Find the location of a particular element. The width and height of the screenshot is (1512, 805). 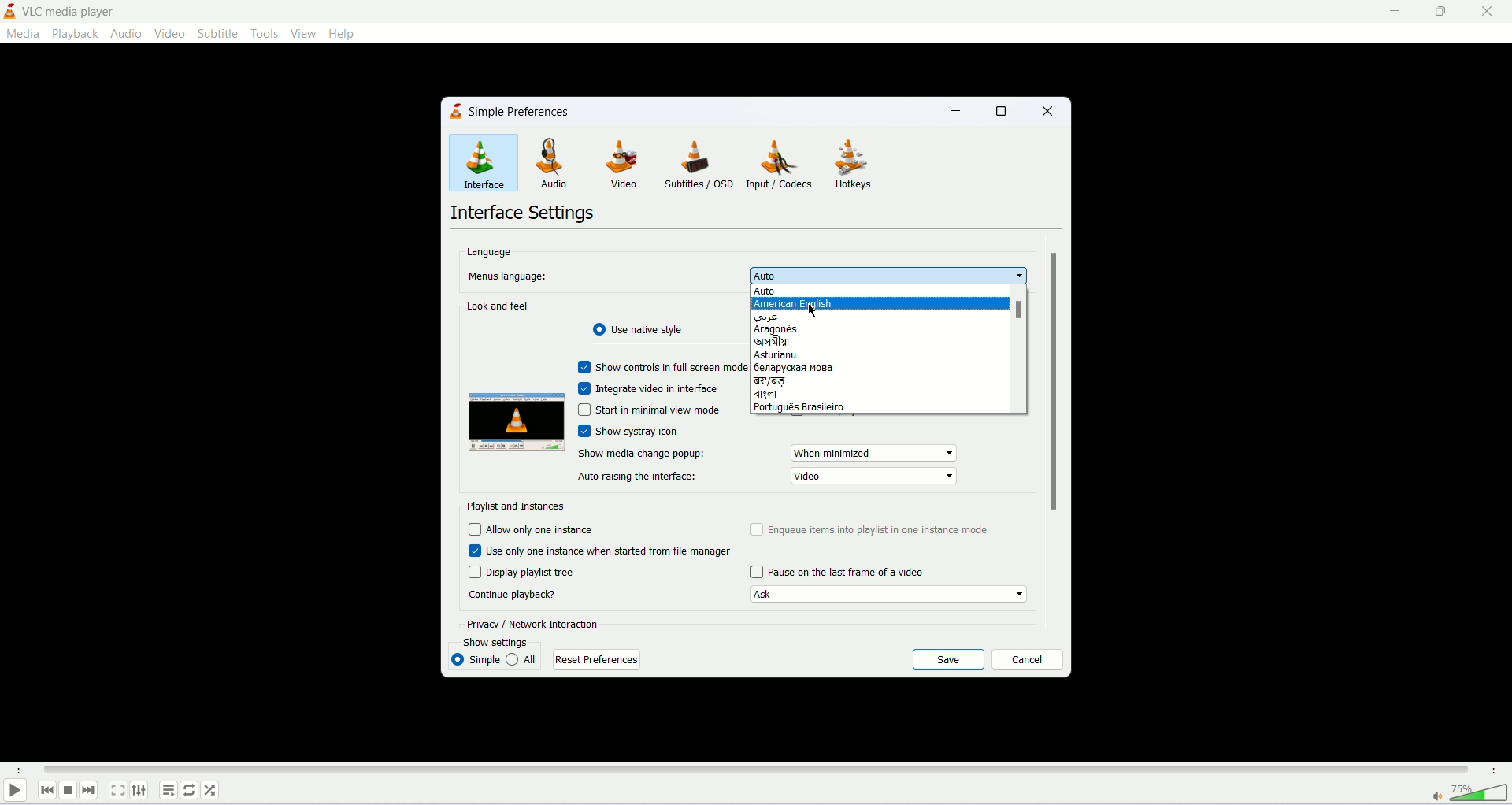

show settings is located at coordinates (508, 641).